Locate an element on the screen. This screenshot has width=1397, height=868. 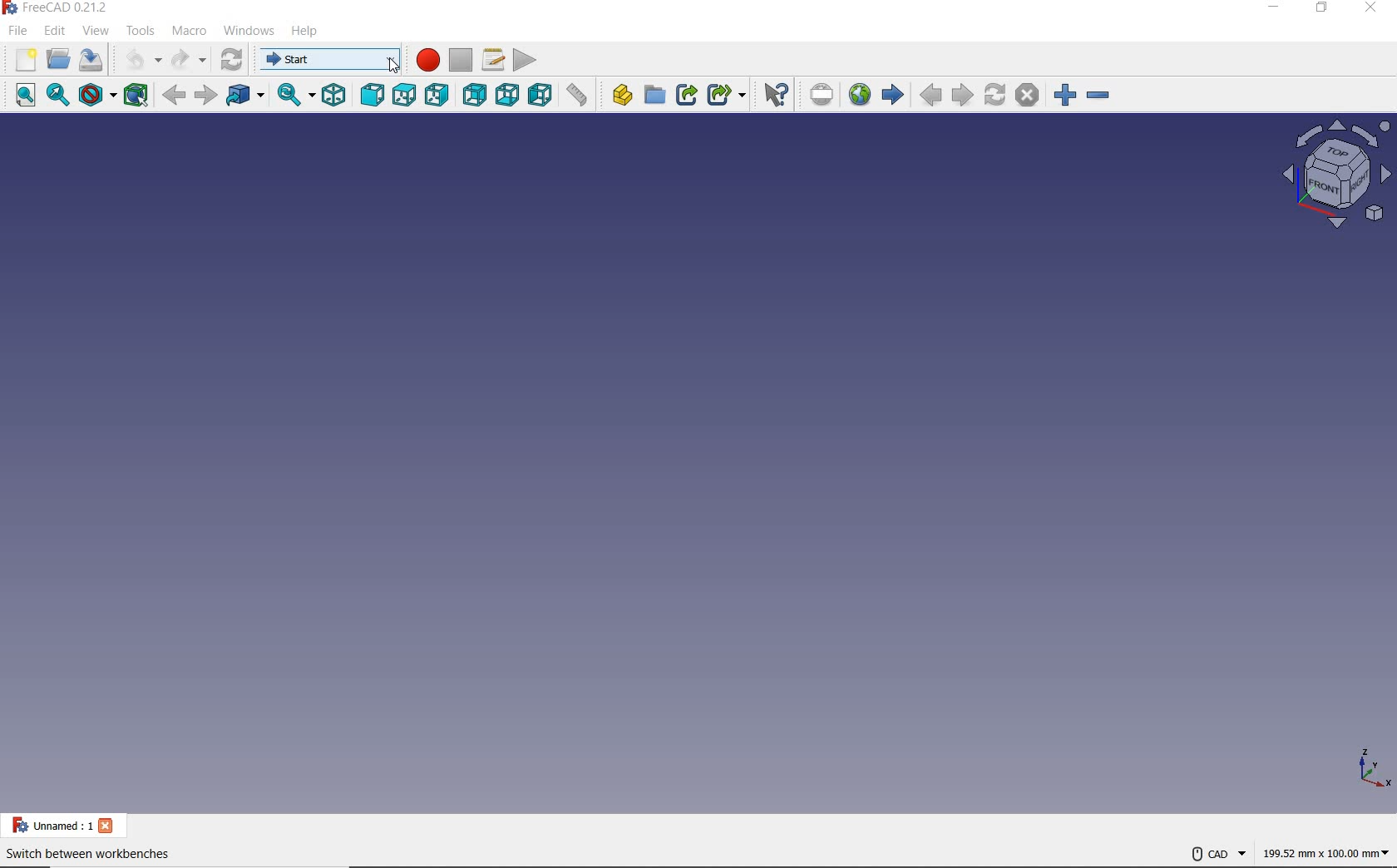
MACRO RECORDING is located at coordinates (425, 59).